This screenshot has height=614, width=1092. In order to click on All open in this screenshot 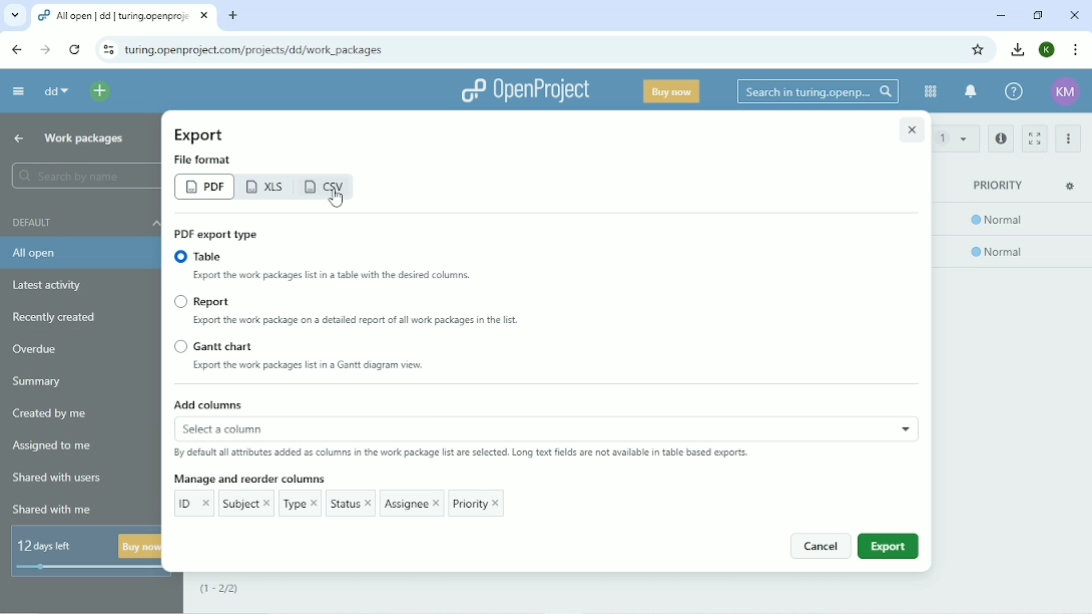, I will do `click(81, 253)`.